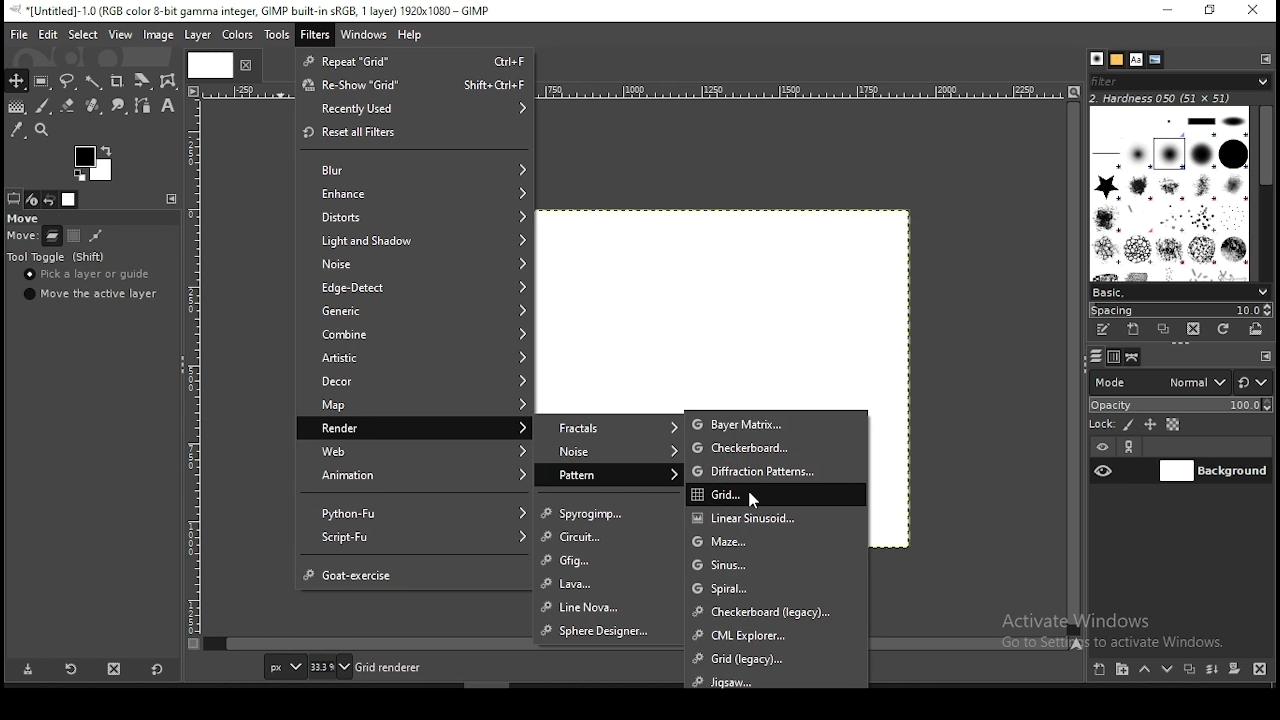 The width and height of the screenshot is (1280, 720). I want to click on sphere designer, so click(610, 632).